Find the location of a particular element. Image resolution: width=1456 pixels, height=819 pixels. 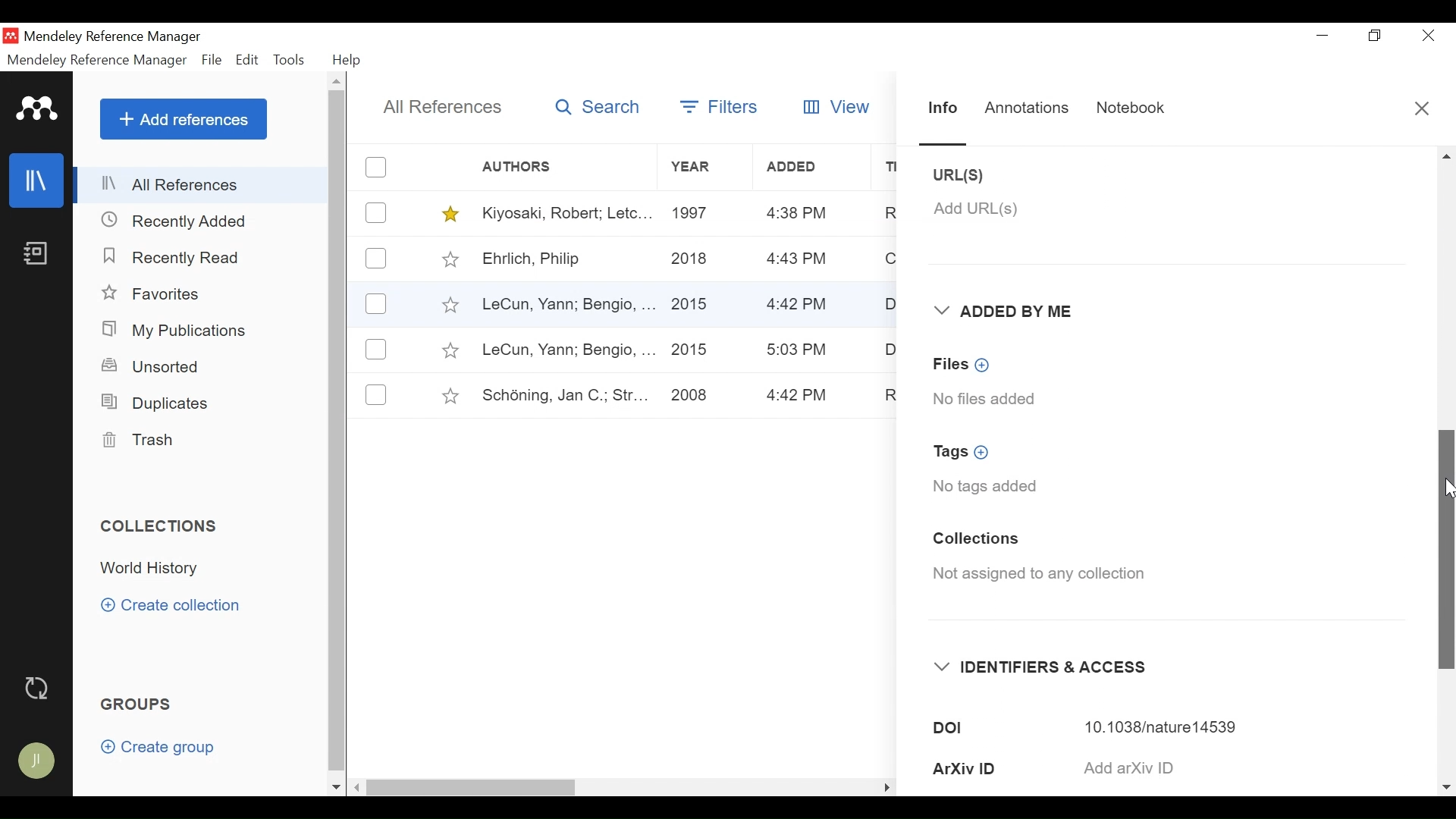

Scroll Right is located at coordinates (1446, 787).